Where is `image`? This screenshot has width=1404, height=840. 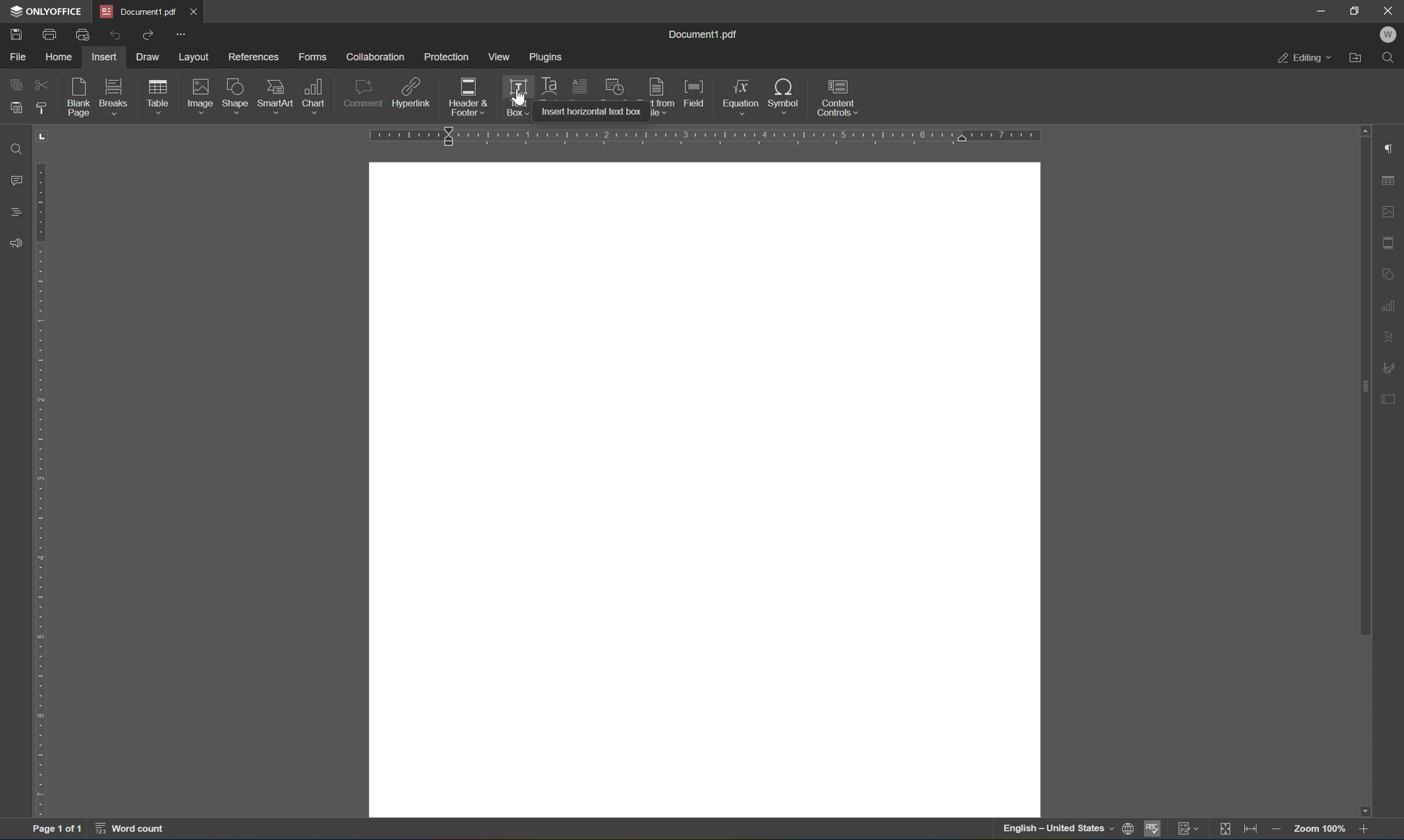 image is located at coordinates (202, 96).